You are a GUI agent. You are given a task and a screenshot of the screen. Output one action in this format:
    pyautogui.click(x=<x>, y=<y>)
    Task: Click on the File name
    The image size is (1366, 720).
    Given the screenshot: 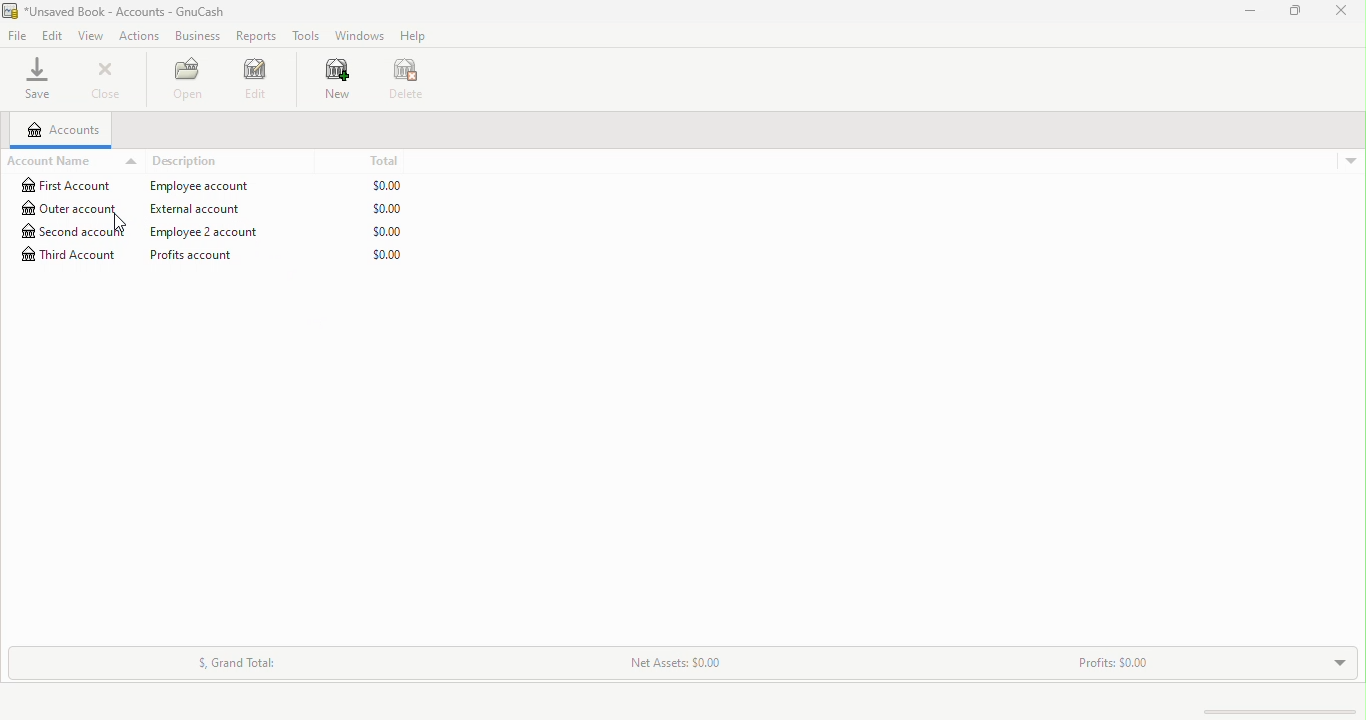 What is the action you would take?
    pyautogui.click(x=116, y=11)
    